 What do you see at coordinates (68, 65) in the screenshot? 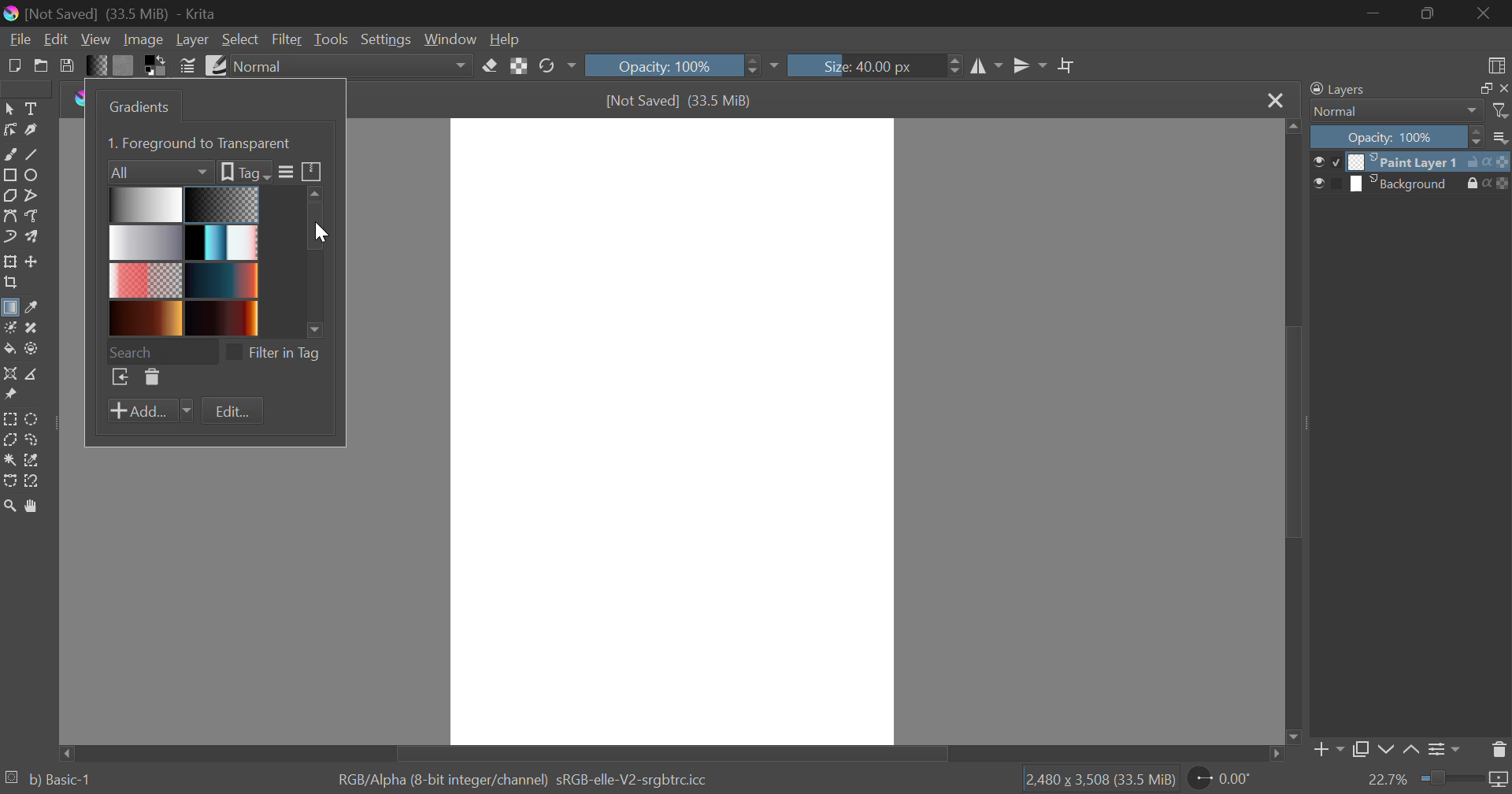
I see `Save` at bounding box center [68, 65].